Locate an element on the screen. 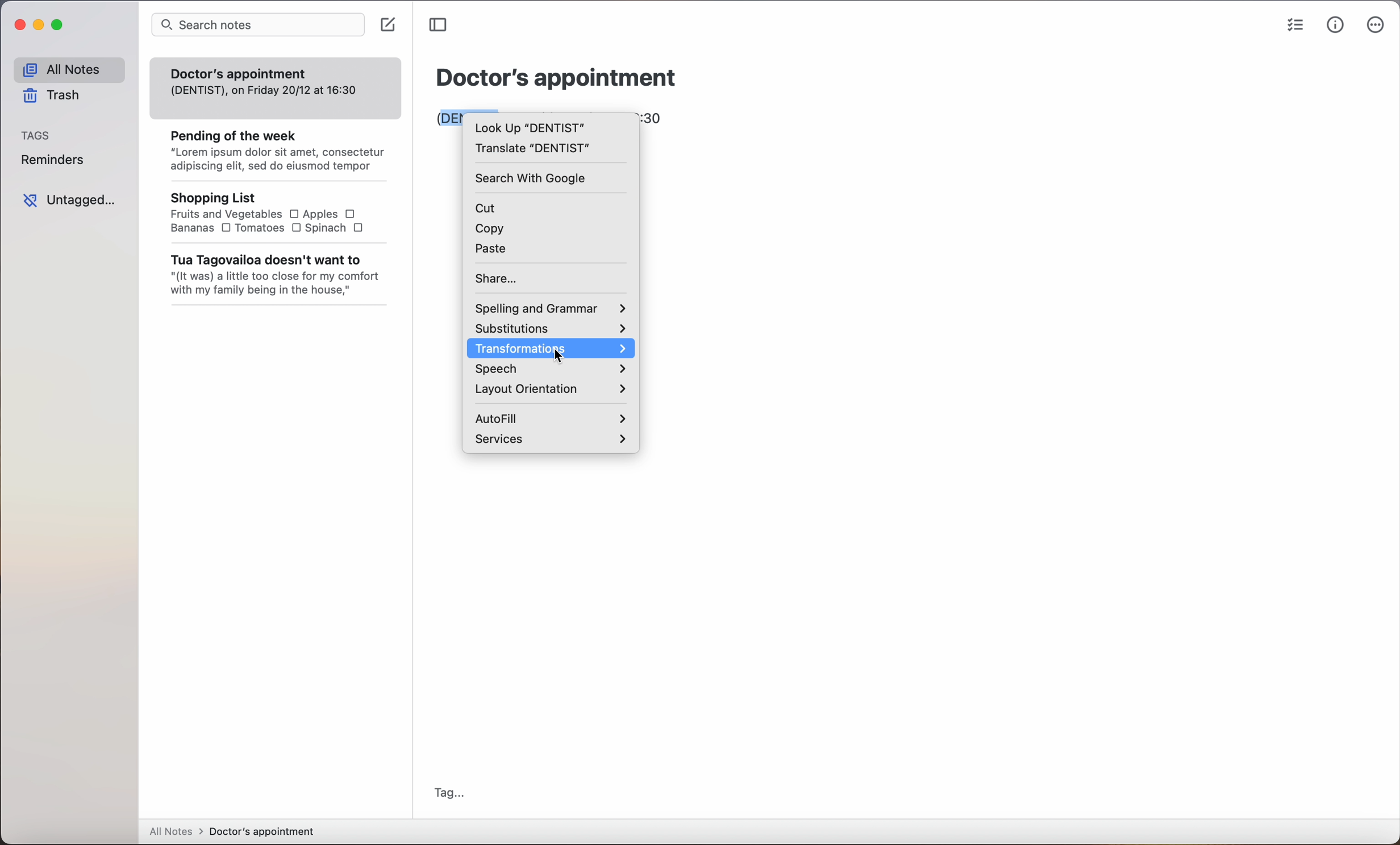  speech is located at coordinates (549, 370).